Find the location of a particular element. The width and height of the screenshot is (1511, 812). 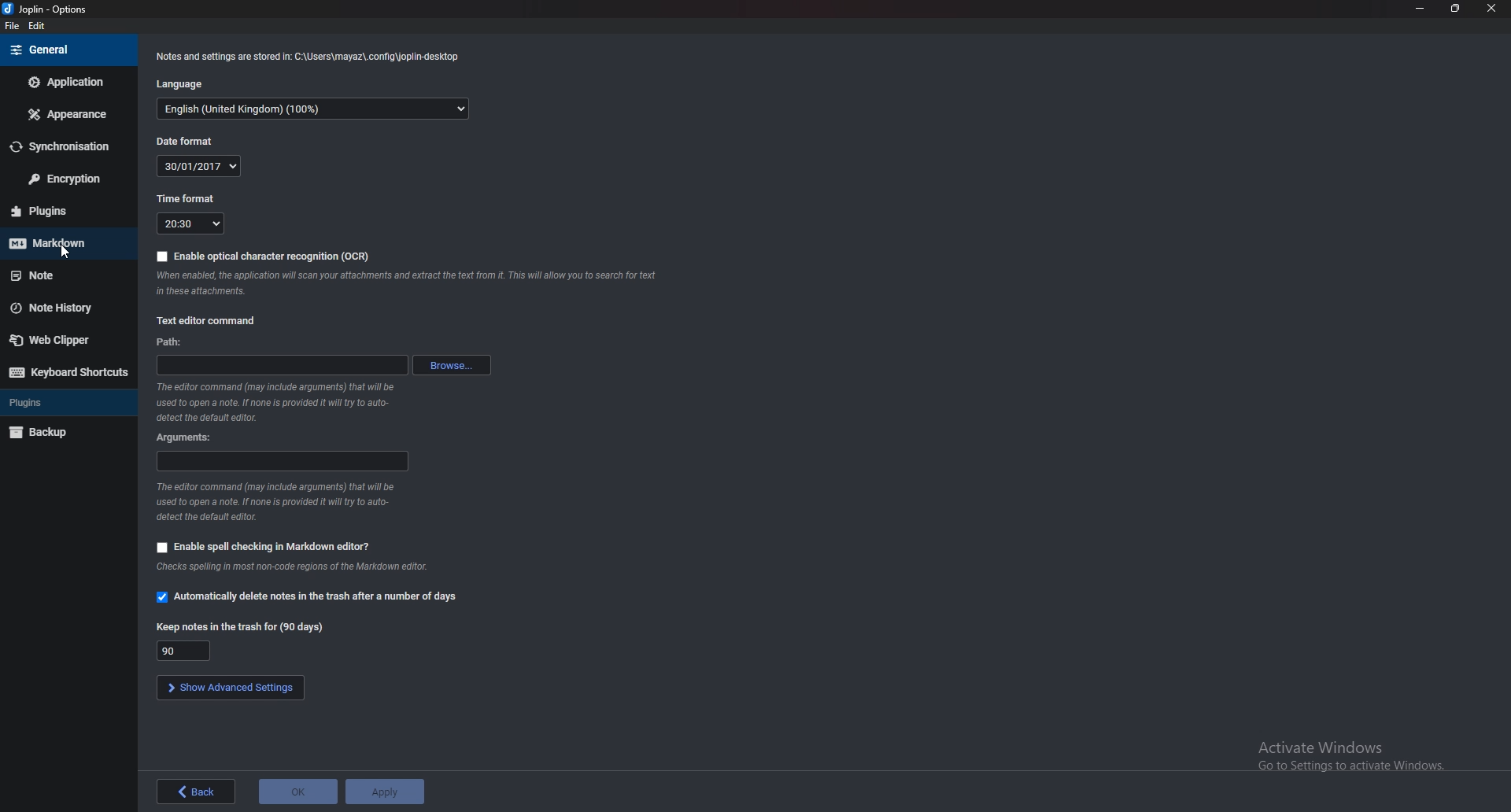

resize is located at coordinates (1456, 8).